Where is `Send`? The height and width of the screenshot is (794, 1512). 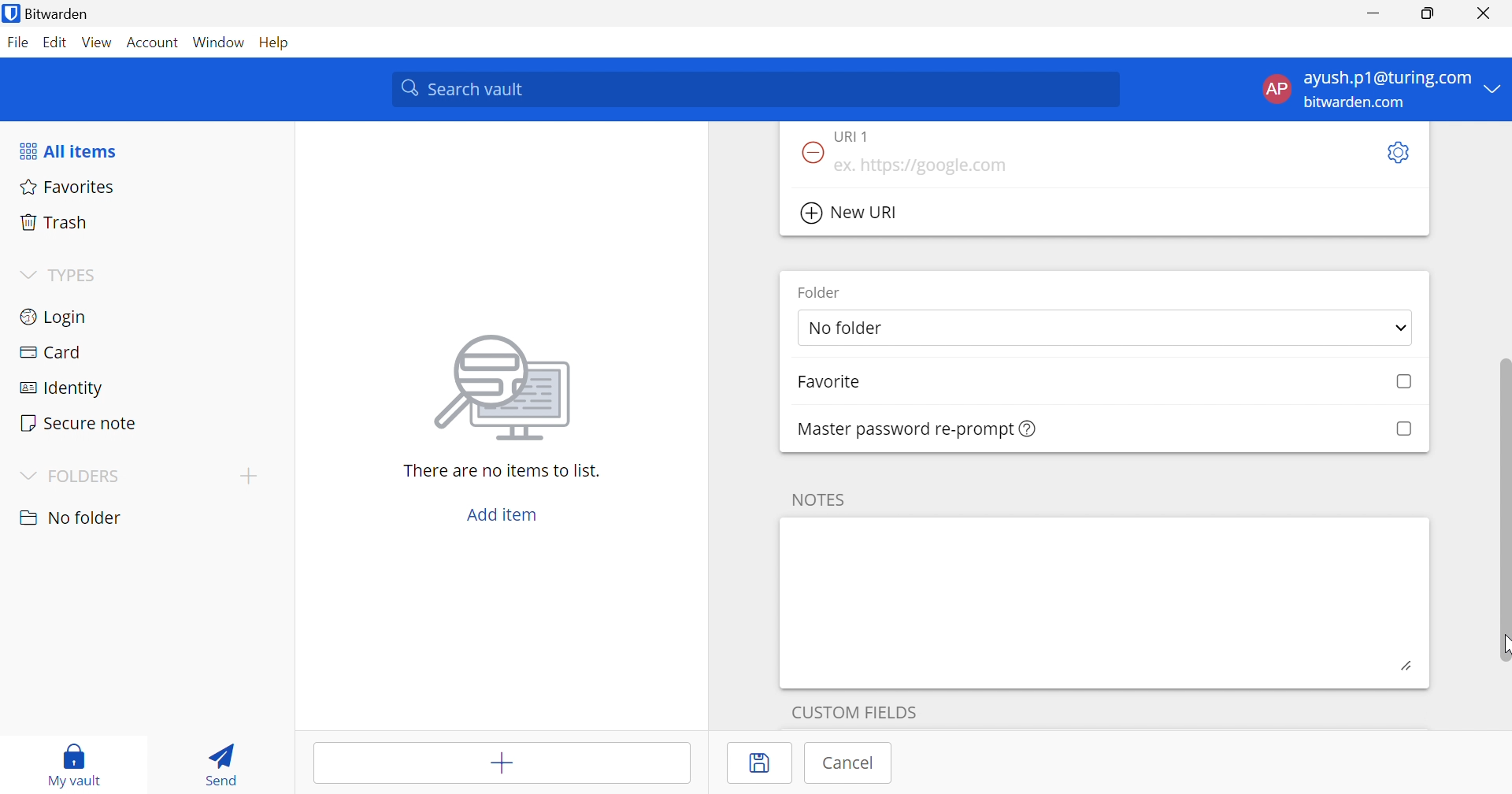
Send is located at coordinates (217, 761).